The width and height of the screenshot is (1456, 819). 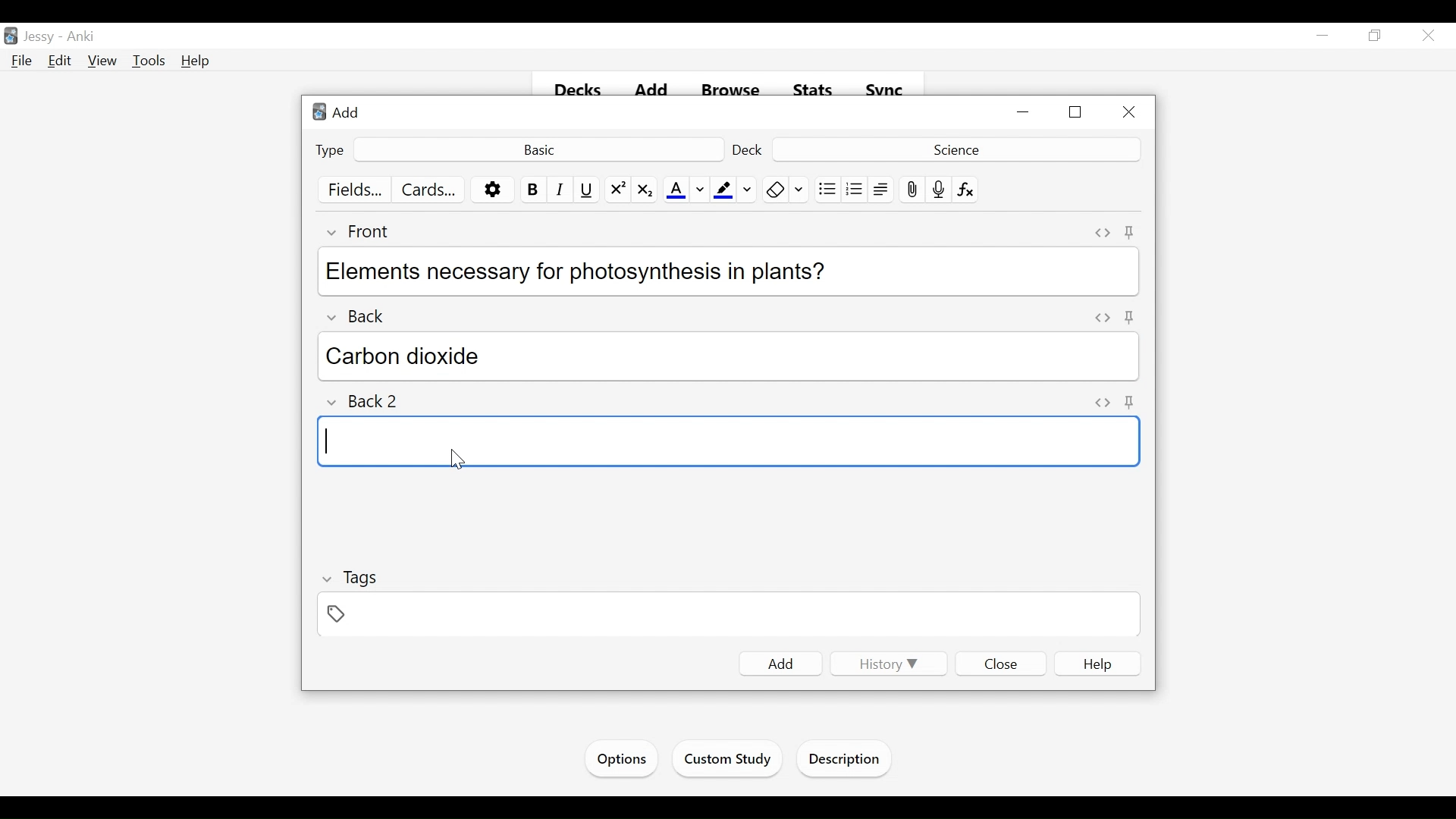 I want to click on History, so click(x=886, y=664).